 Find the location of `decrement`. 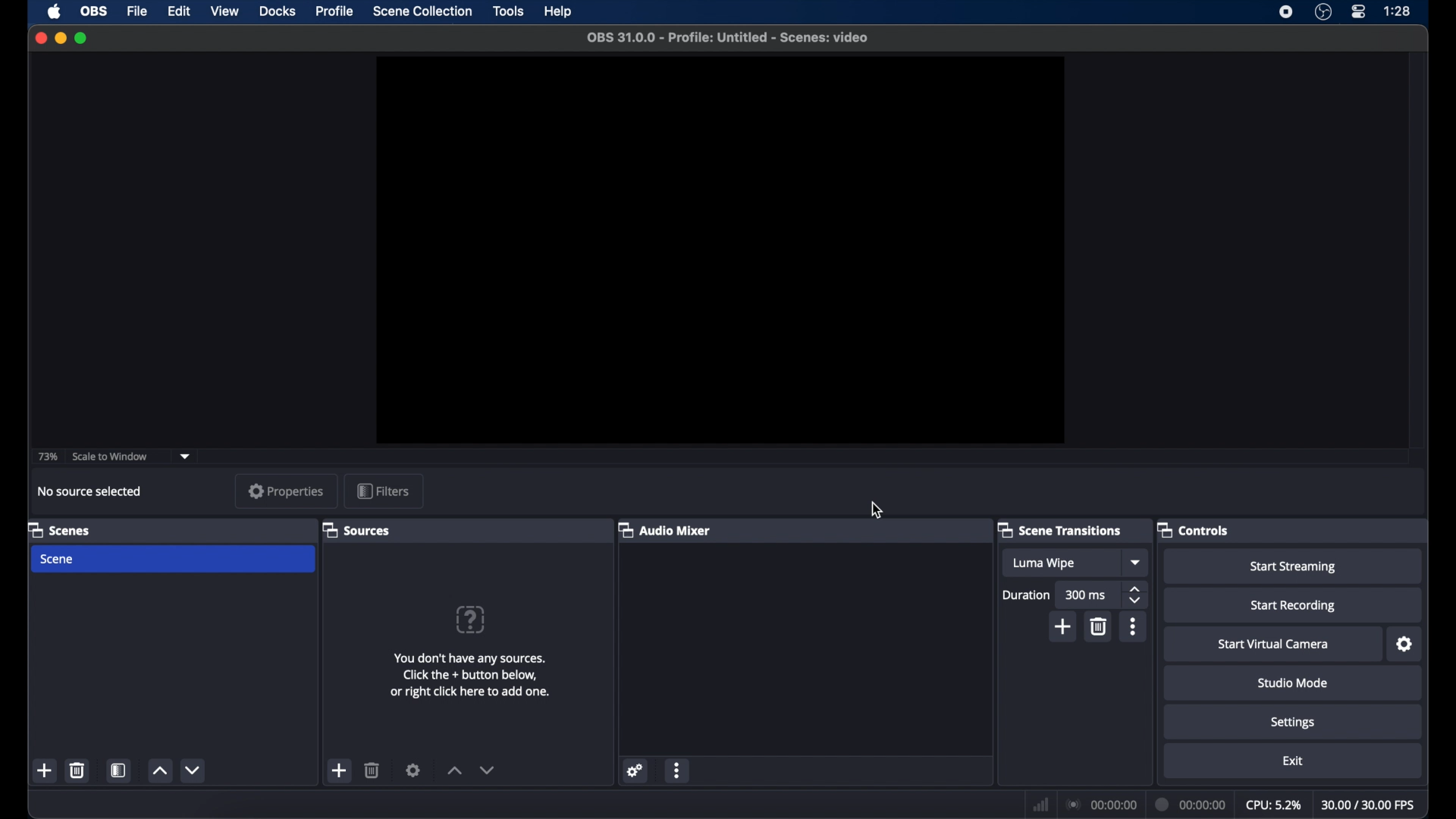

decrement is located at coordinates (194, 770).